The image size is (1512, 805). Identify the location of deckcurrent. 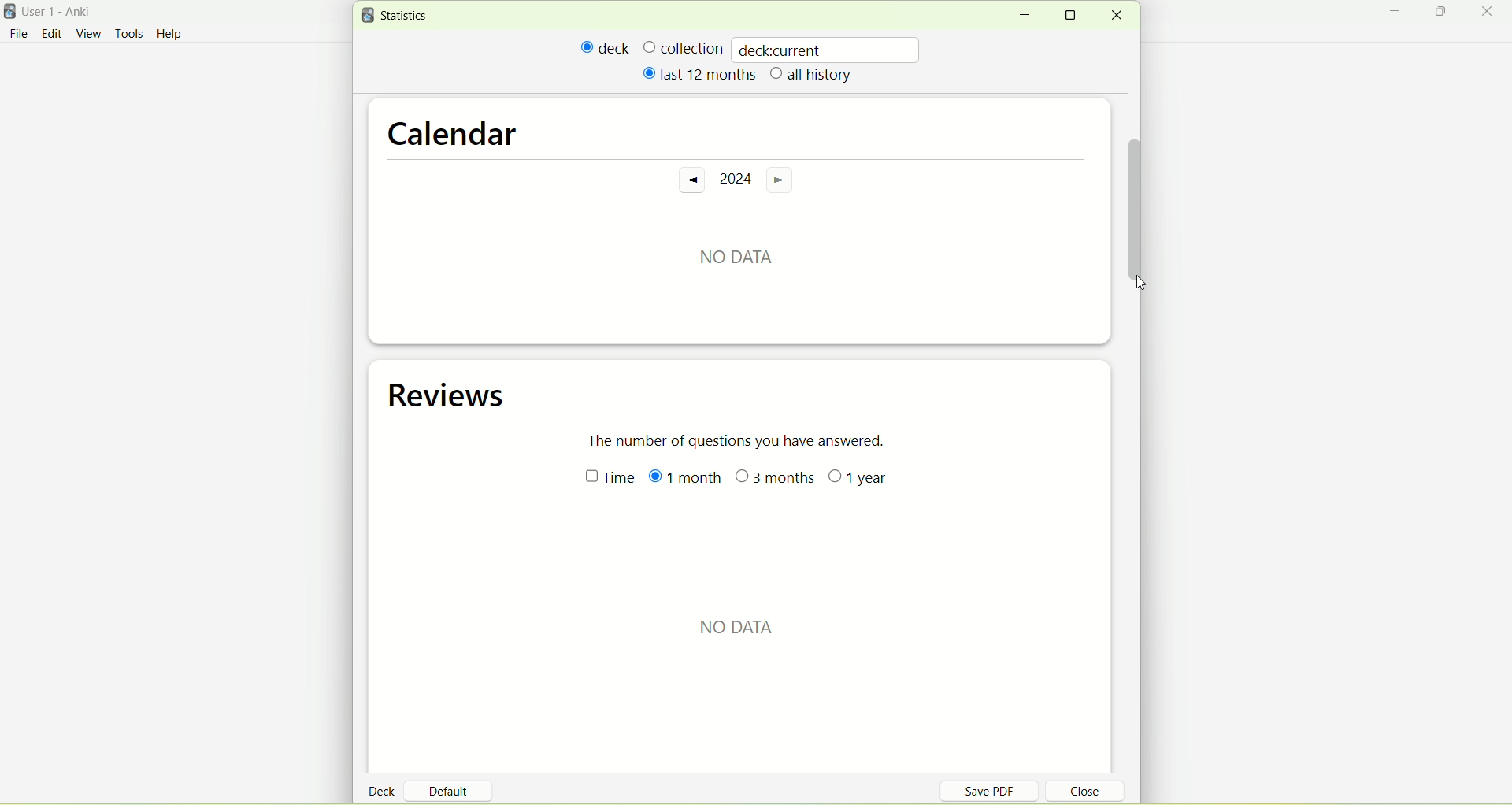
(828, 49).